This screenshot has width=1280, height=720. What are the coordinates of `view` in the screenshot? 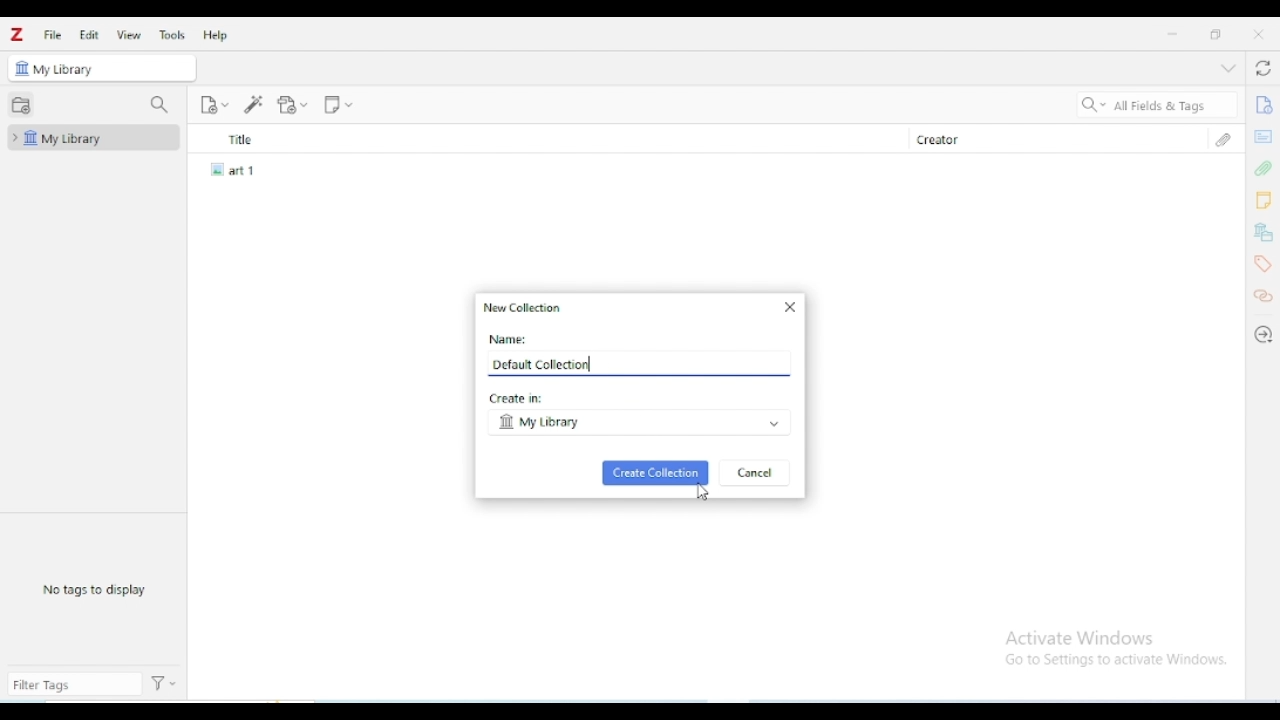 It's located at (129, 35).